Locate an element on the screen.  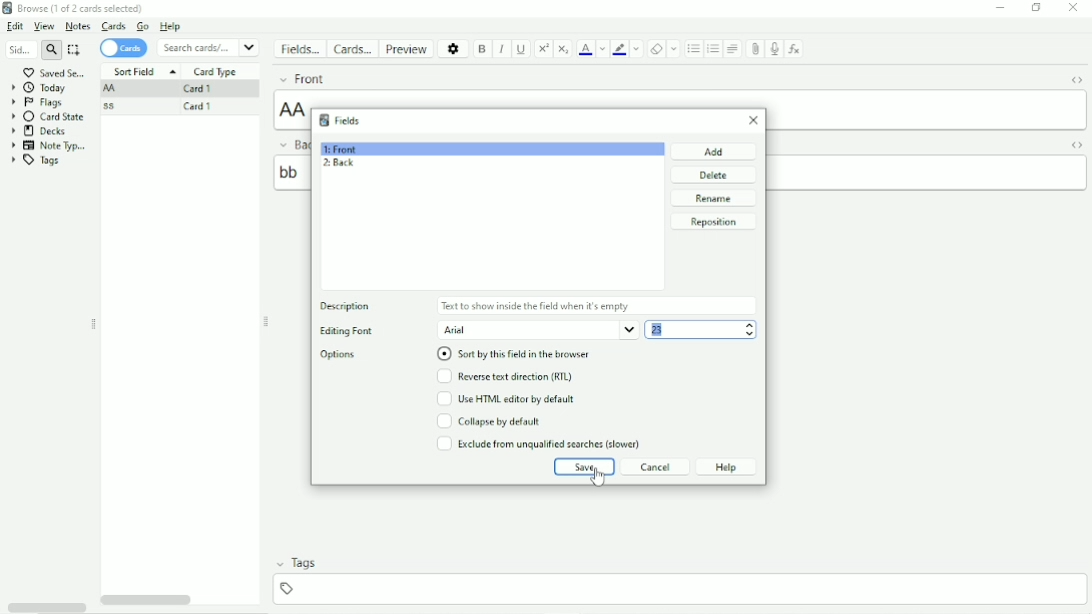
Input tags is located at coordinates (678, 589).